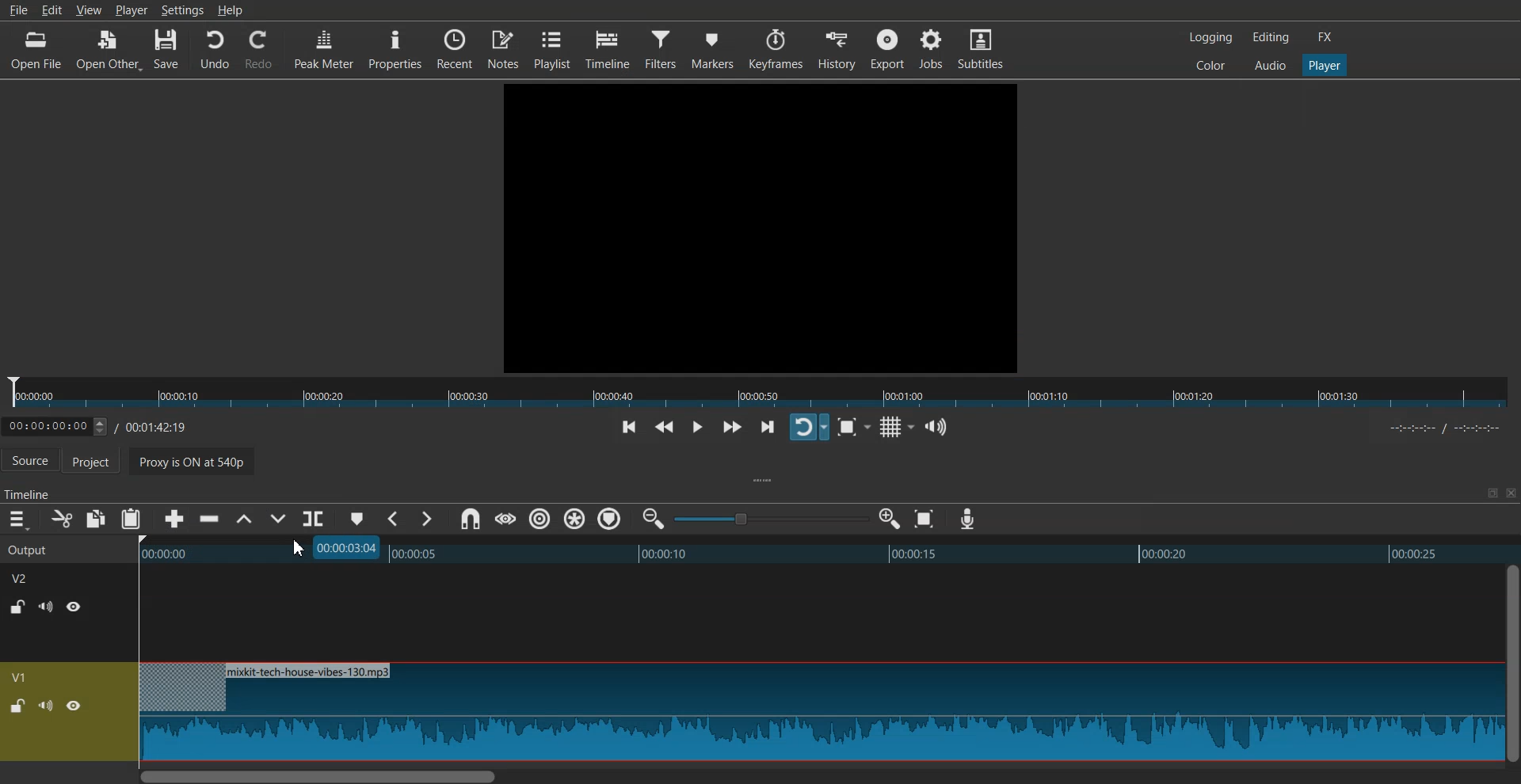  Describe the element at coordinates (109, 51) in the screenshot. I see `Open Other` at that location.